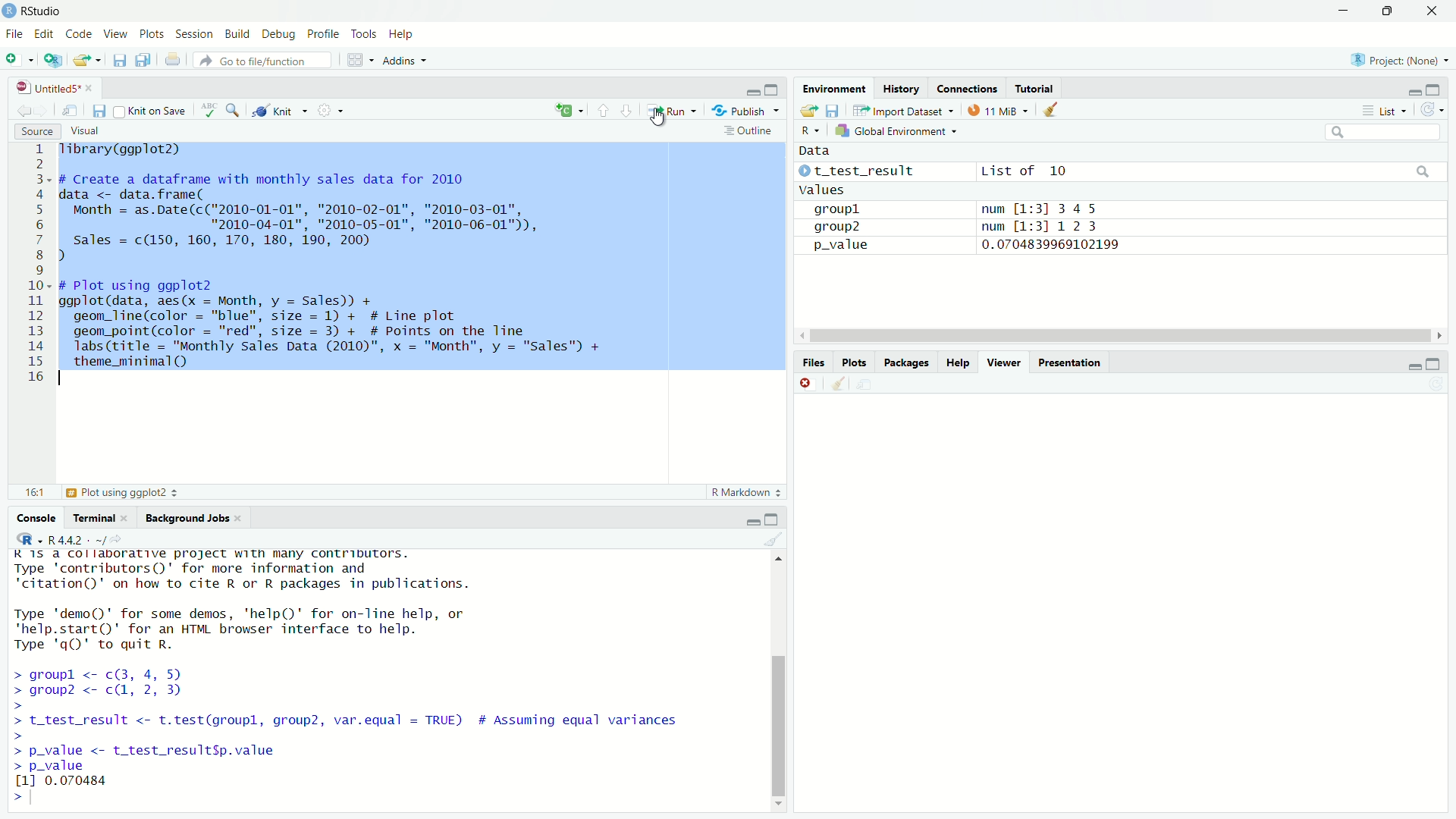  Describe the element at coordinates (121, 492) in the screenshot. I see `Plot using ggplot2` at that location.